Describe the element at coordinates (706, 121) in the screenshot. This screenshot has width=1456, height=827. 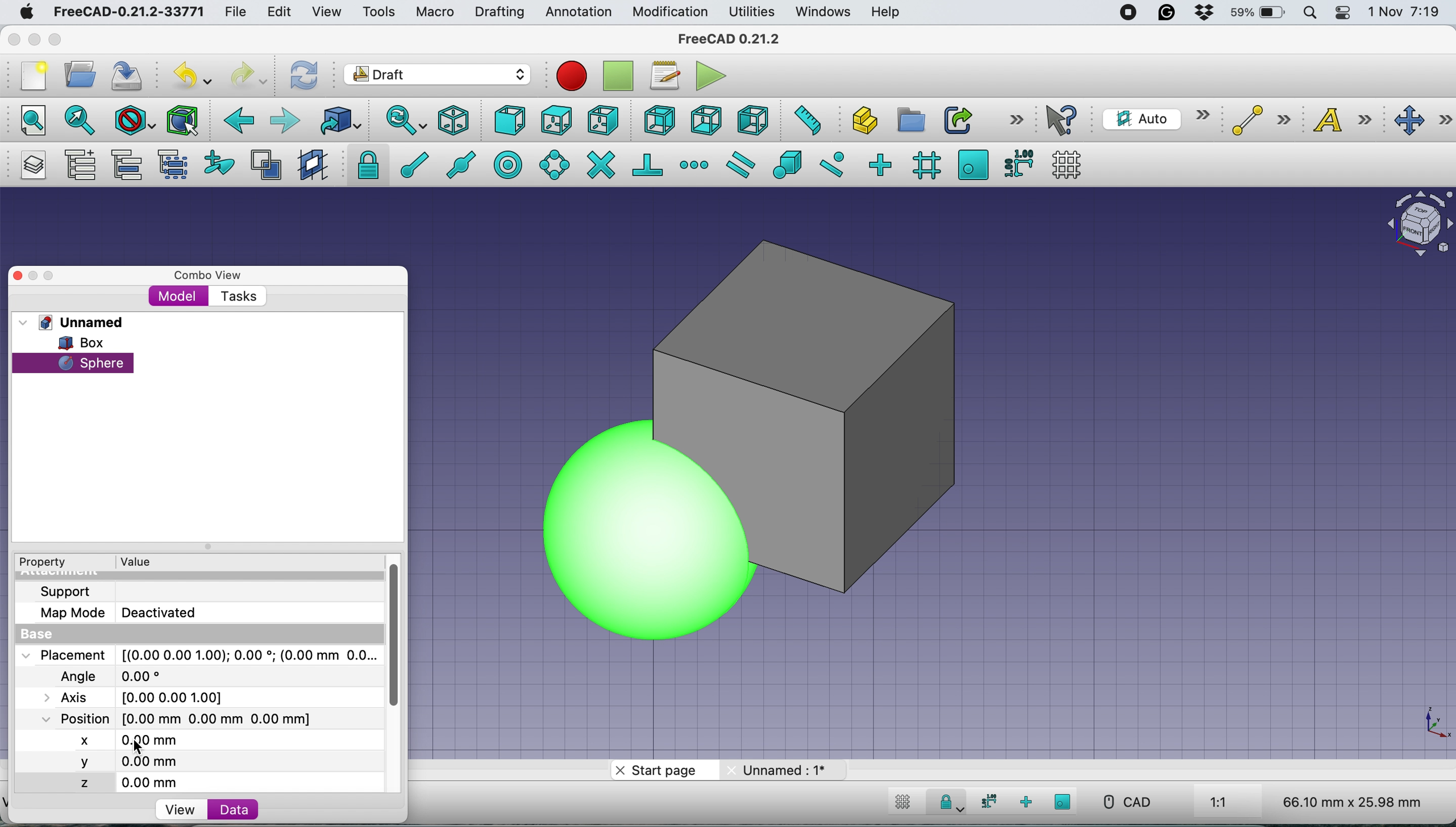
I see `bottom` at that location.